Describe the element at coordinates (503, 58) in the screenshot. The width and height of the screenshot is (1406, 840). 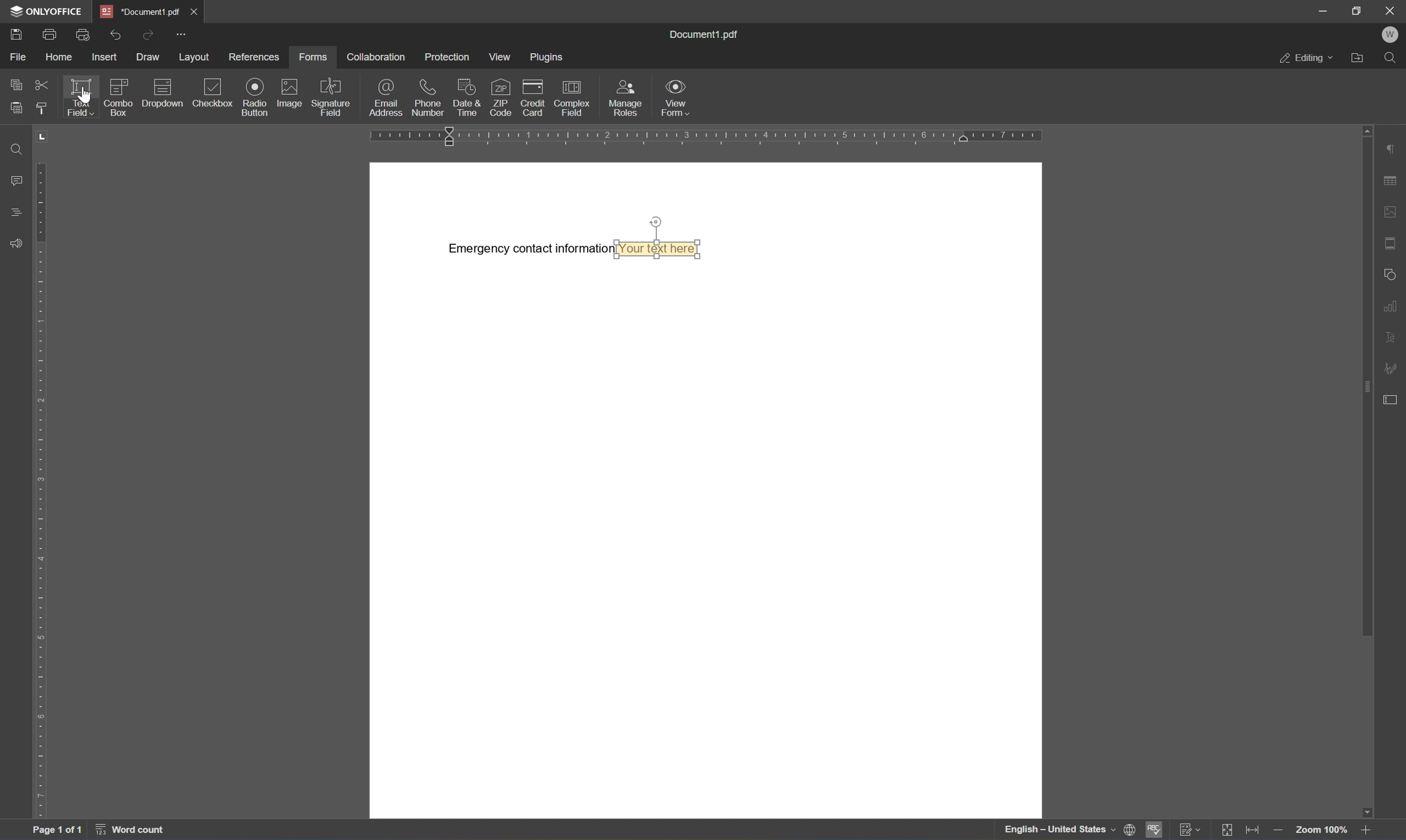
I see `view` at that location.